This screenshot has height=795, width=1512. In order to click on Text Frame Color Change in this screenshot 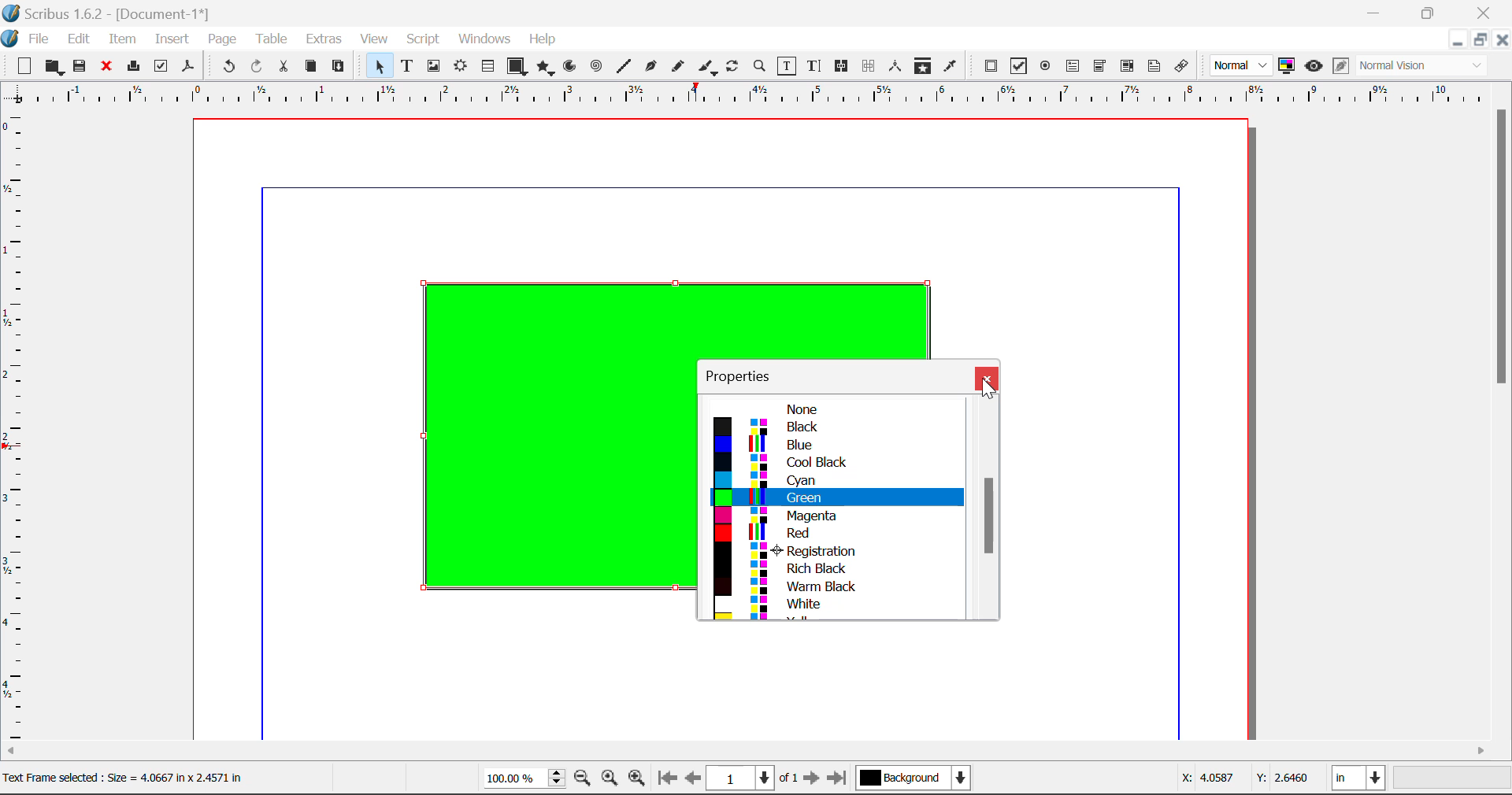, I will do `click(543, 442)`.